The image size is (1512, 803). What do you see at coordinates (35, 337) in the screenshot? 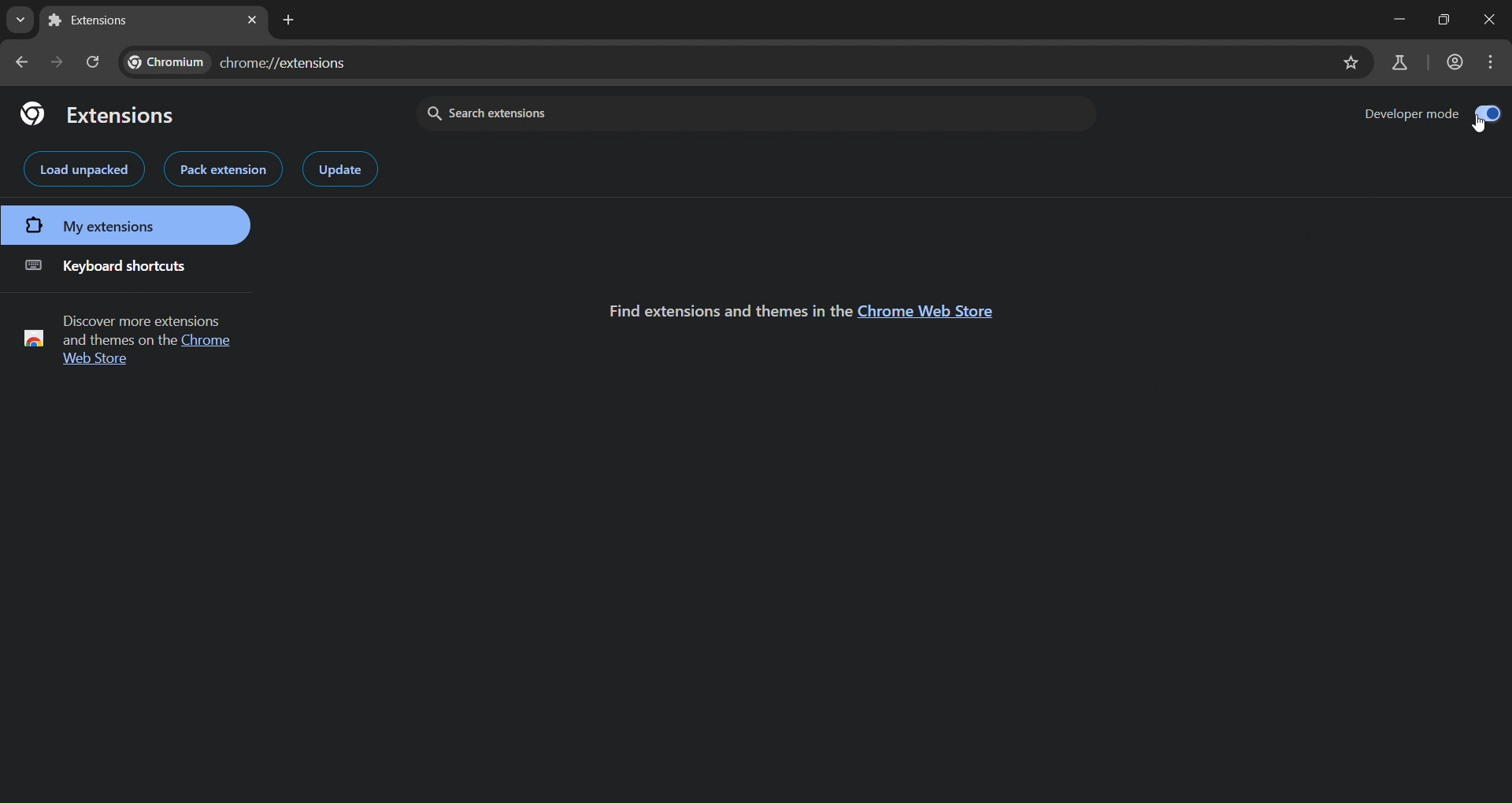
I see `icon` at bounding box center [35, 337].